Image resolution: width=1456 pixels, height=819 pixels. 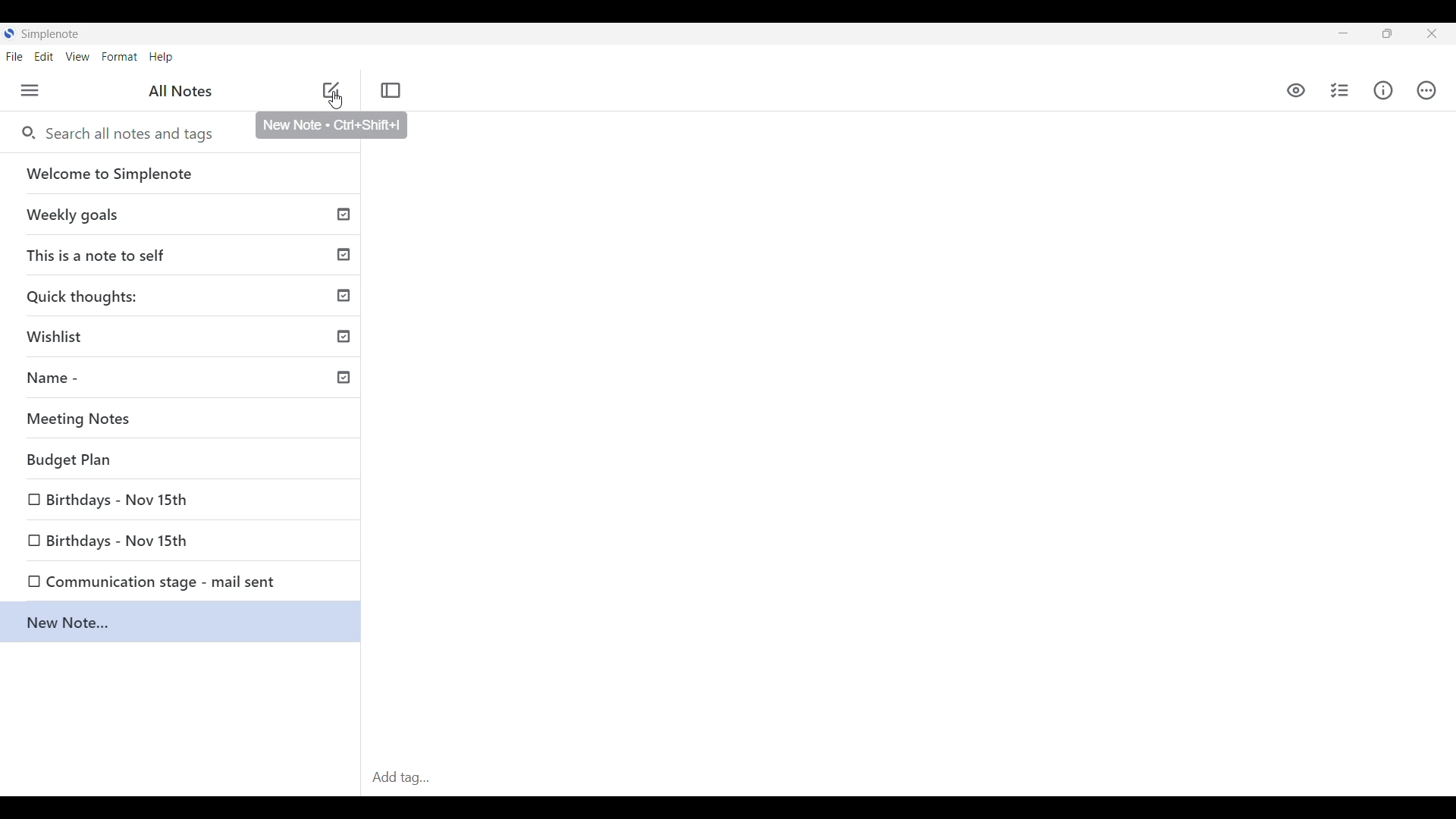 I want to click on Maximize, so click(x=1387, y=33).